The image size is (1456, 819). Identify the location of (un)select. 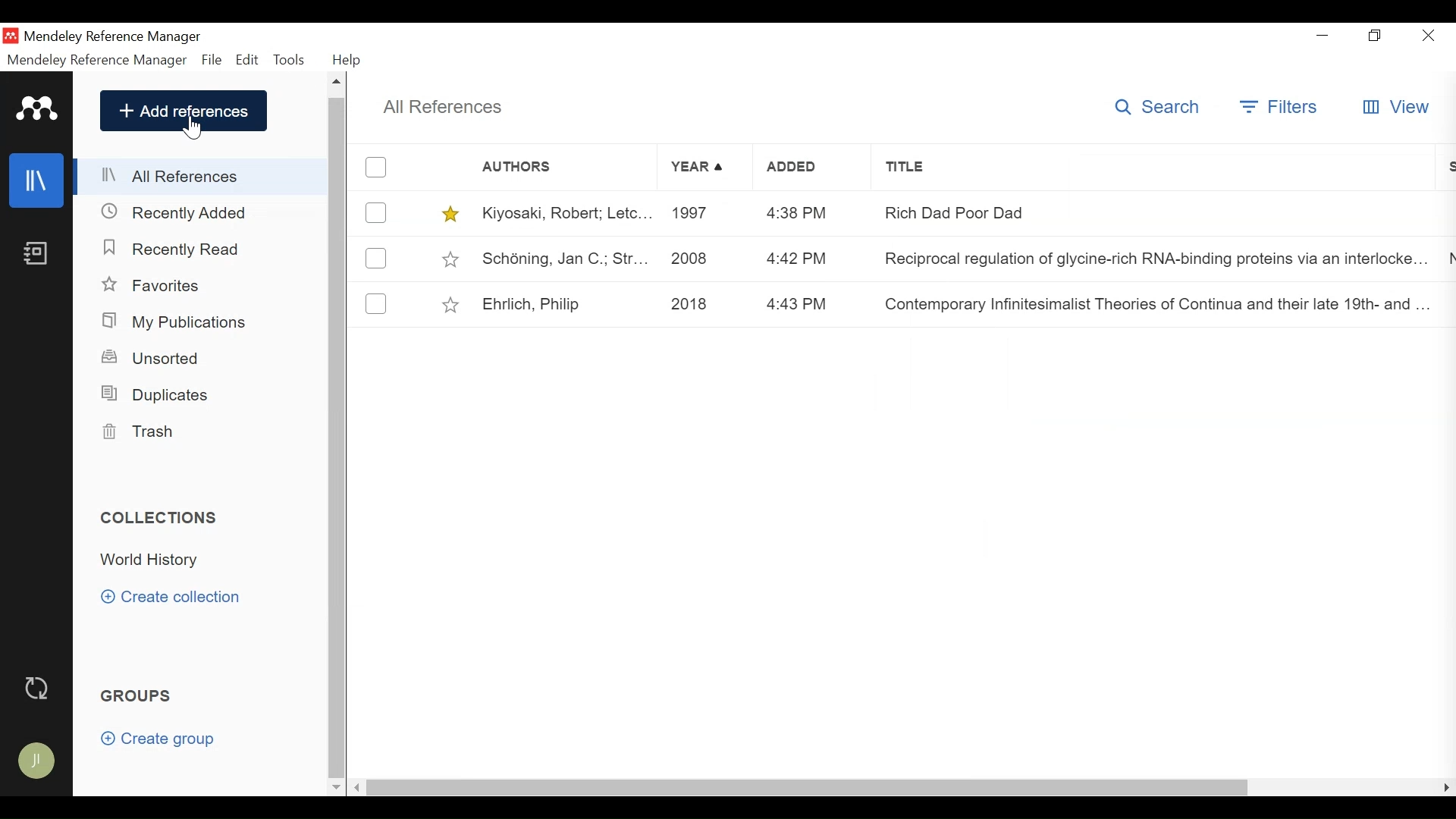
(375, 168).